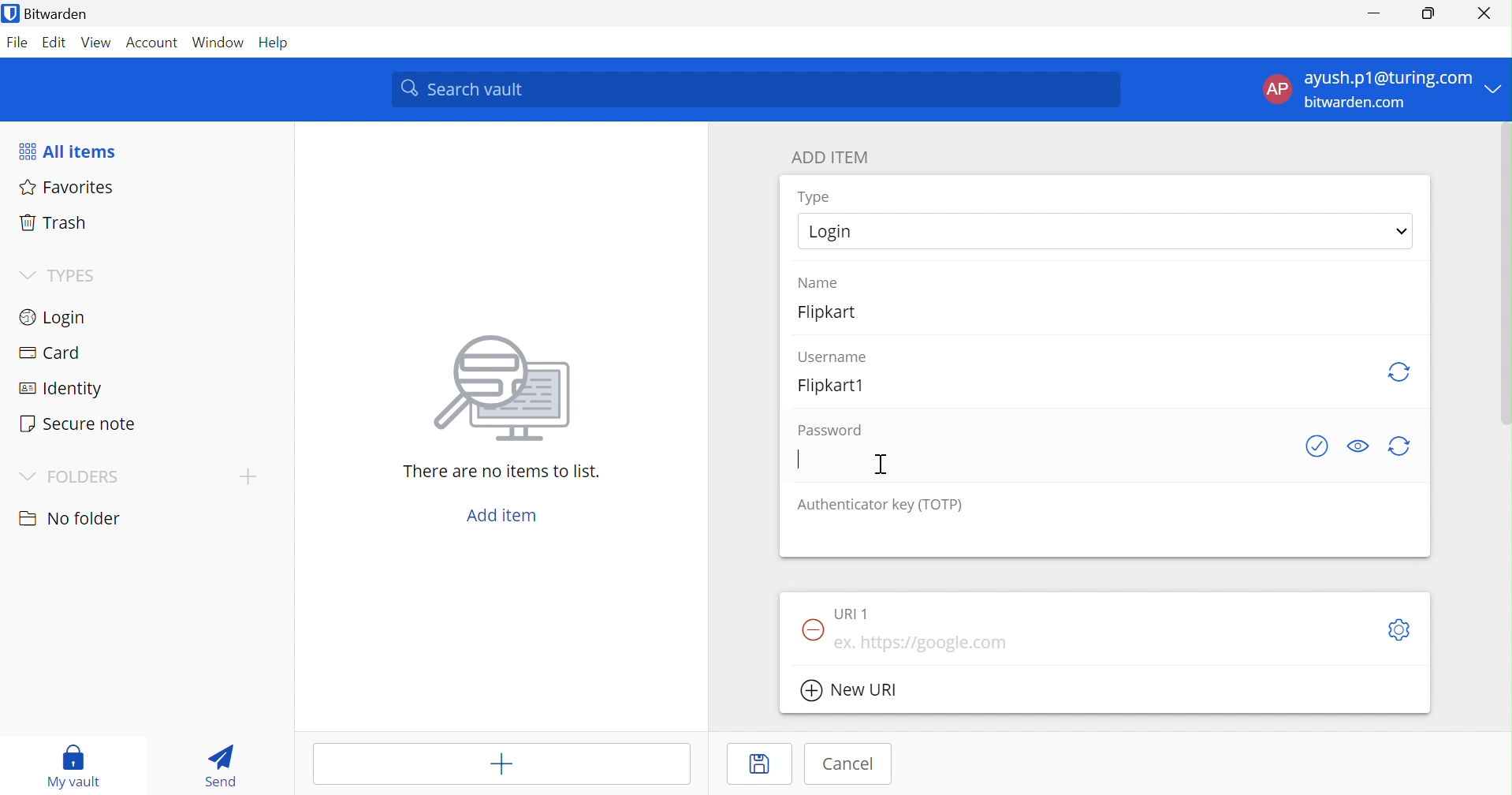  Describe the element at coordinates (219, 766) in the screenshot. I see `Send` at that location.